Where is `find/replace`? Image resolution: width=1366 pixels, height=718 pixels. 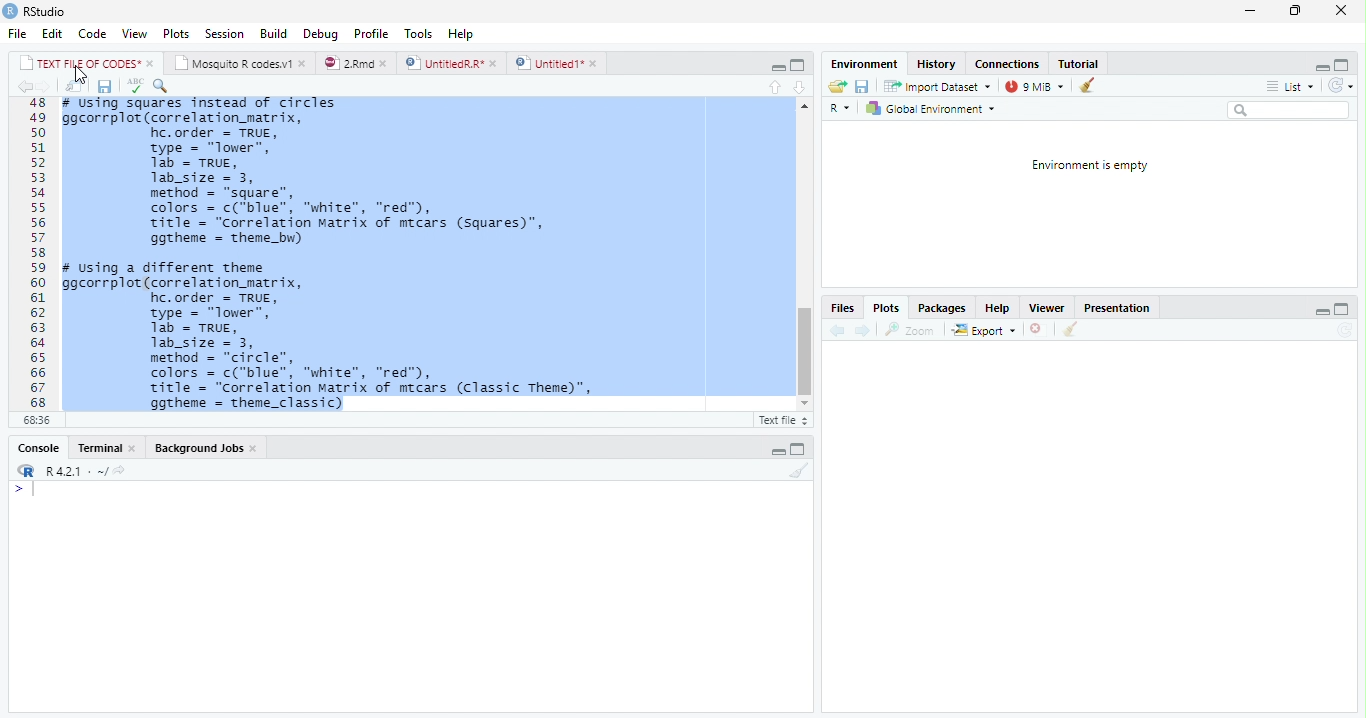 find/replace is located at coordinates (165, 86).